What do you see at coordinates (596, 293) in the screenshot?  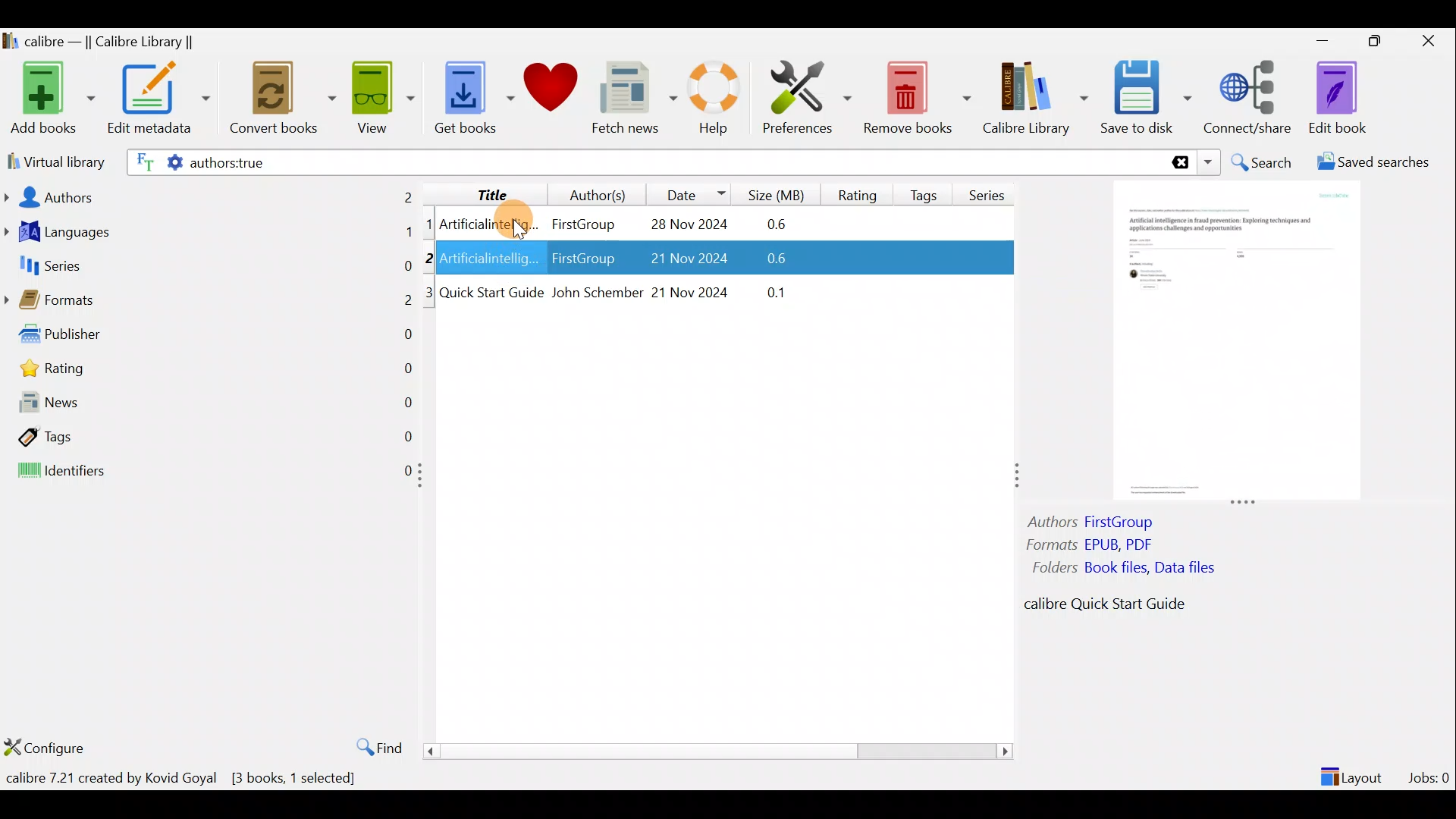 I see `John Schember` at bounding box center [596, 293].